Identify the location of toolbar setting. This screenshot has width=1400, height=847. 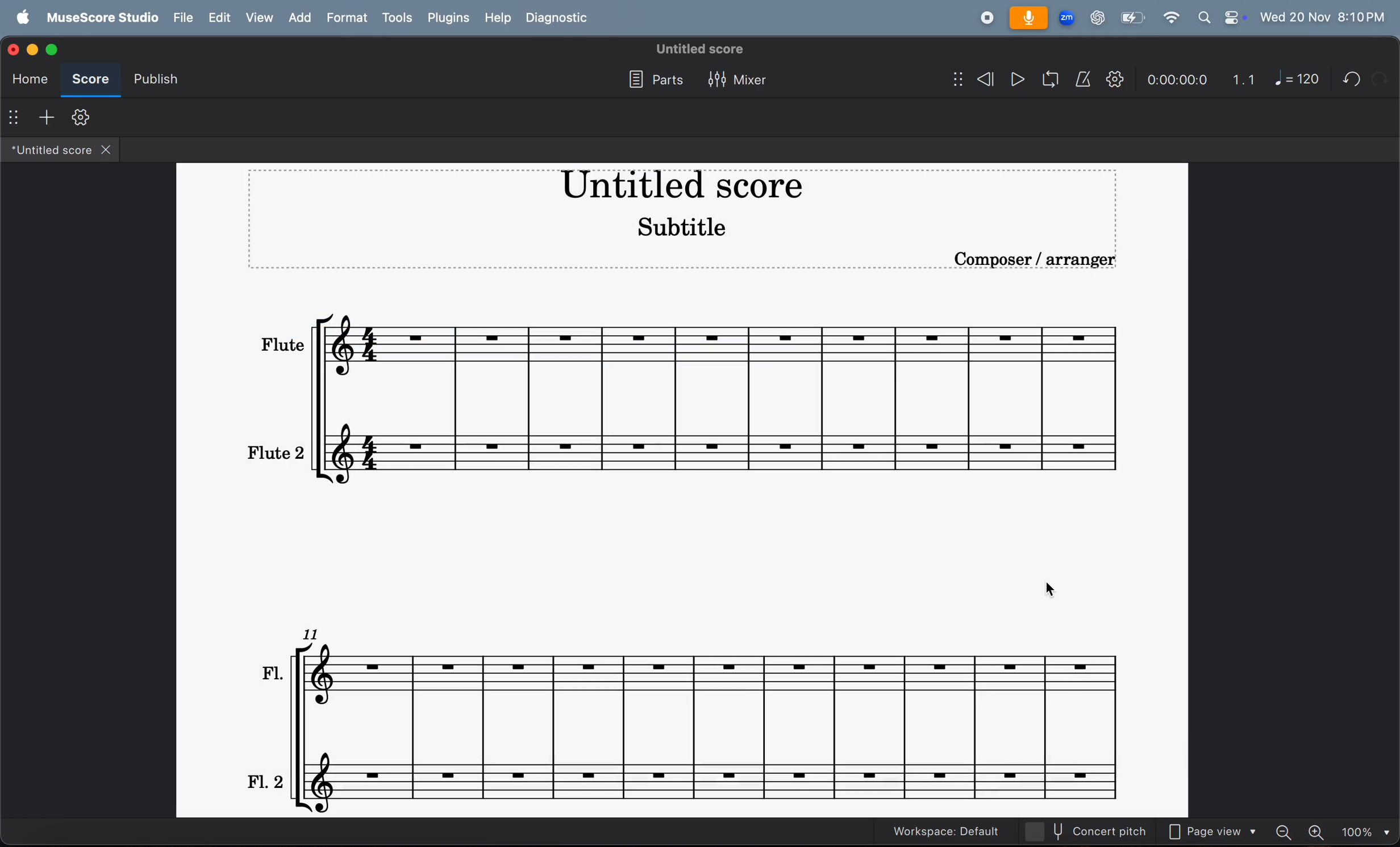
(81, 117).